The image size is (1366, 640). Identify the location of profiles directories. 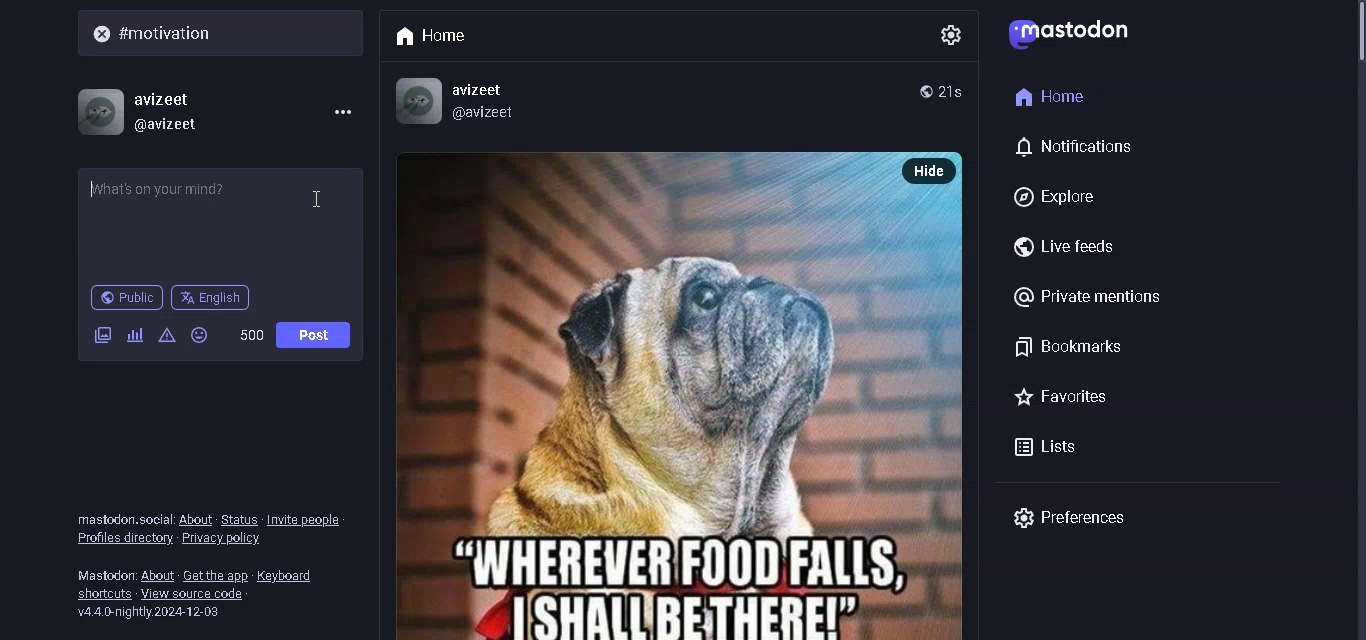
(125, 540).